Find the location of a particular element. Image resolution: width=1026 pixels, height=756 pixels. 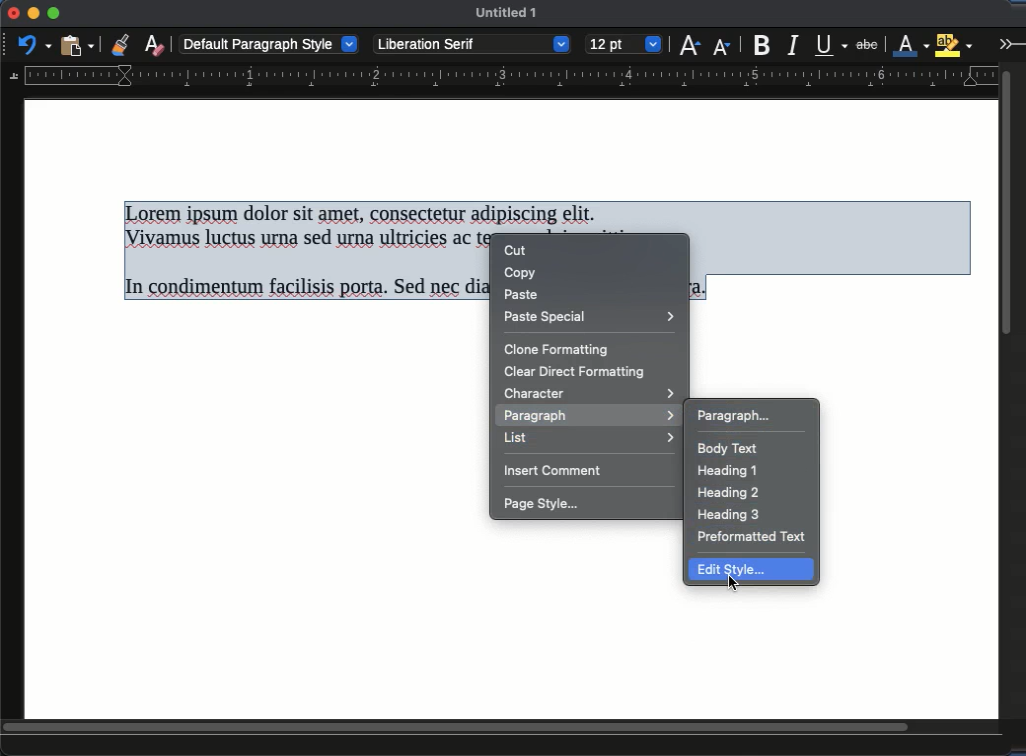

bold is located at coordinates (764, 44).